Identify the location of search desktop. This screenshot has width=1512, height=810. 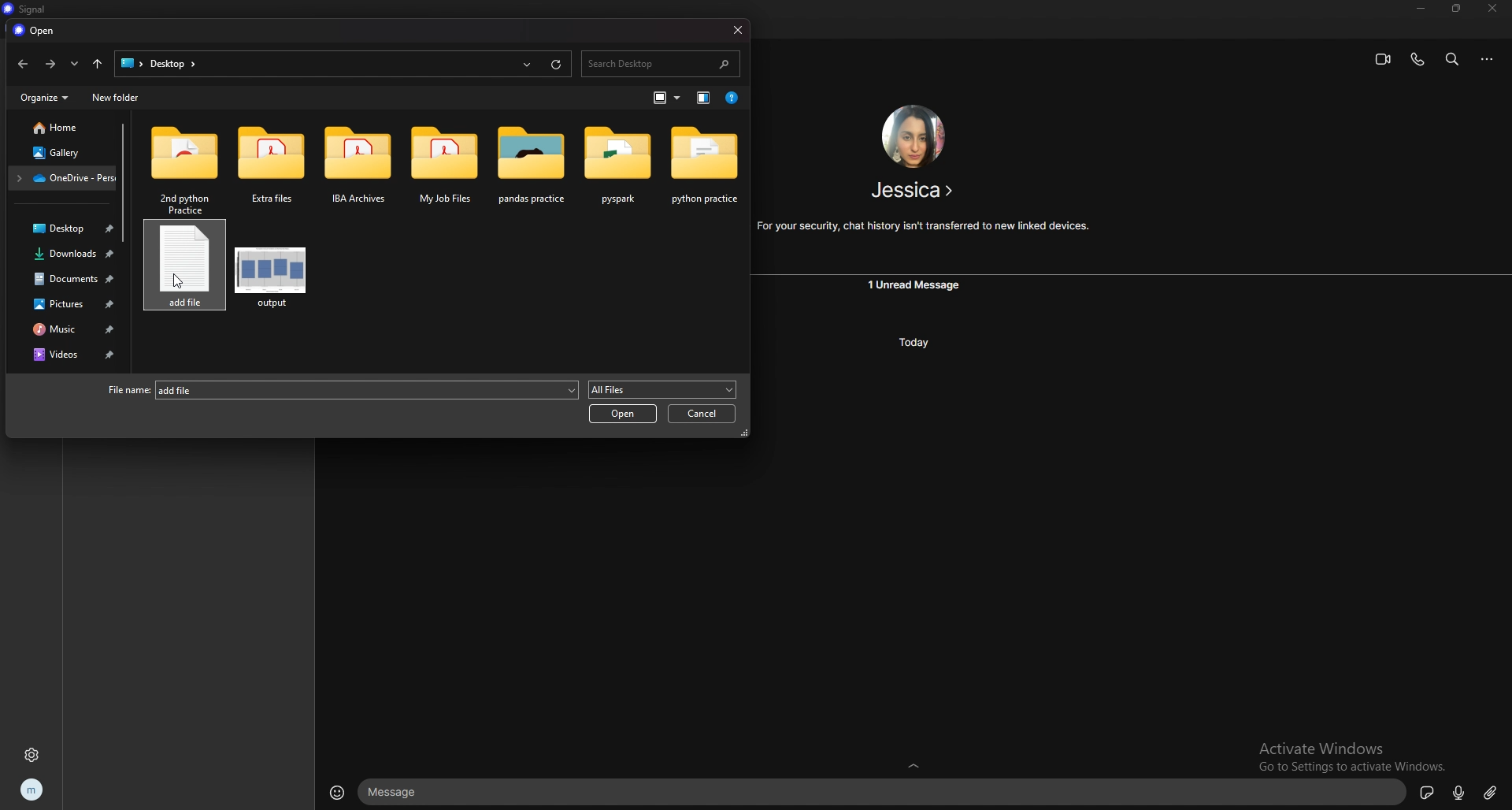
(661, 62).